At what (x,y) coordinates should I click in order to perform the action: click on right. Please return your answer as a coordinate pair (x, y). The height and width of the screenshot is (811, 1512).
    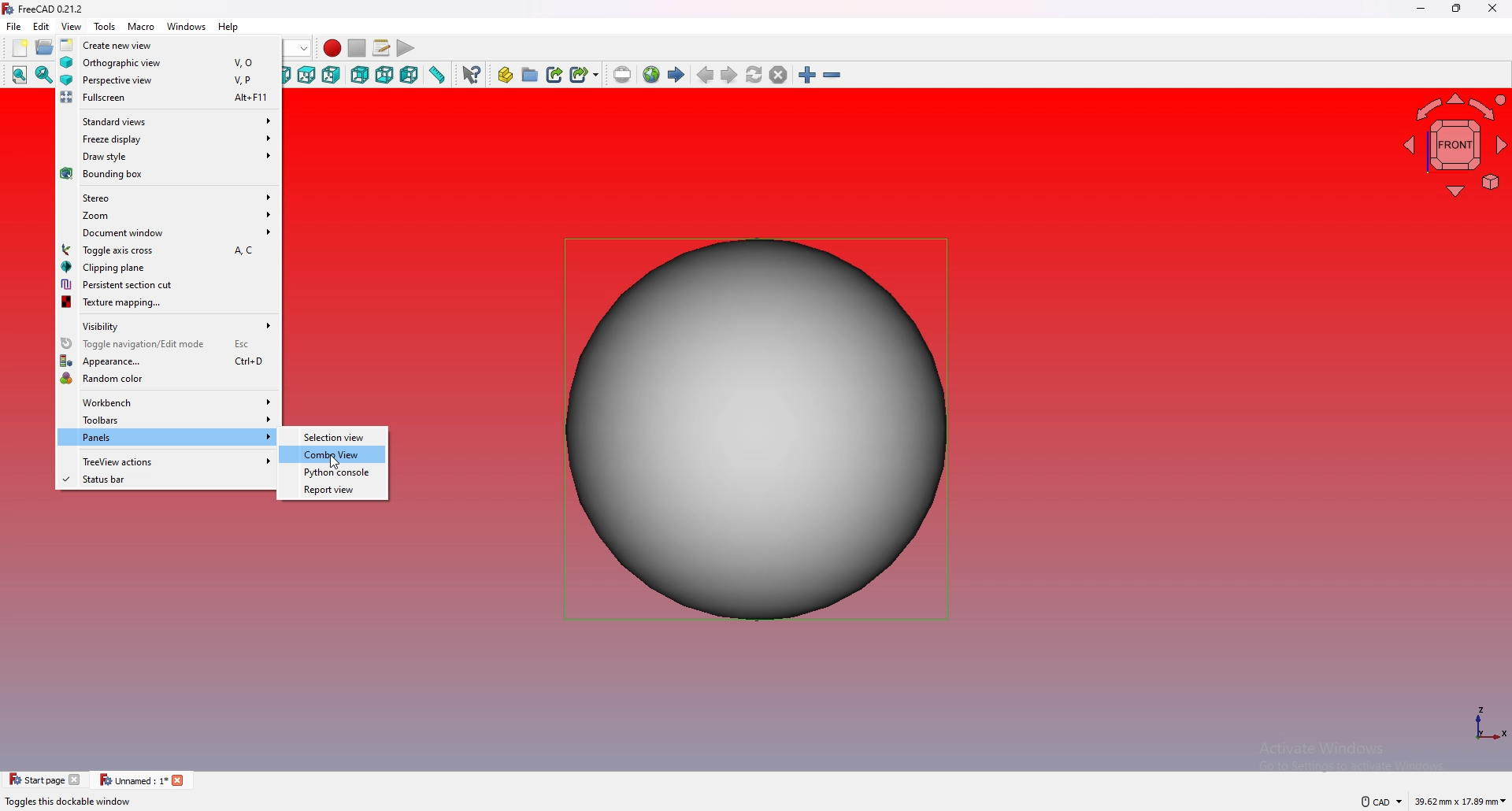
    Looking at the image, I should click on (331, 74).